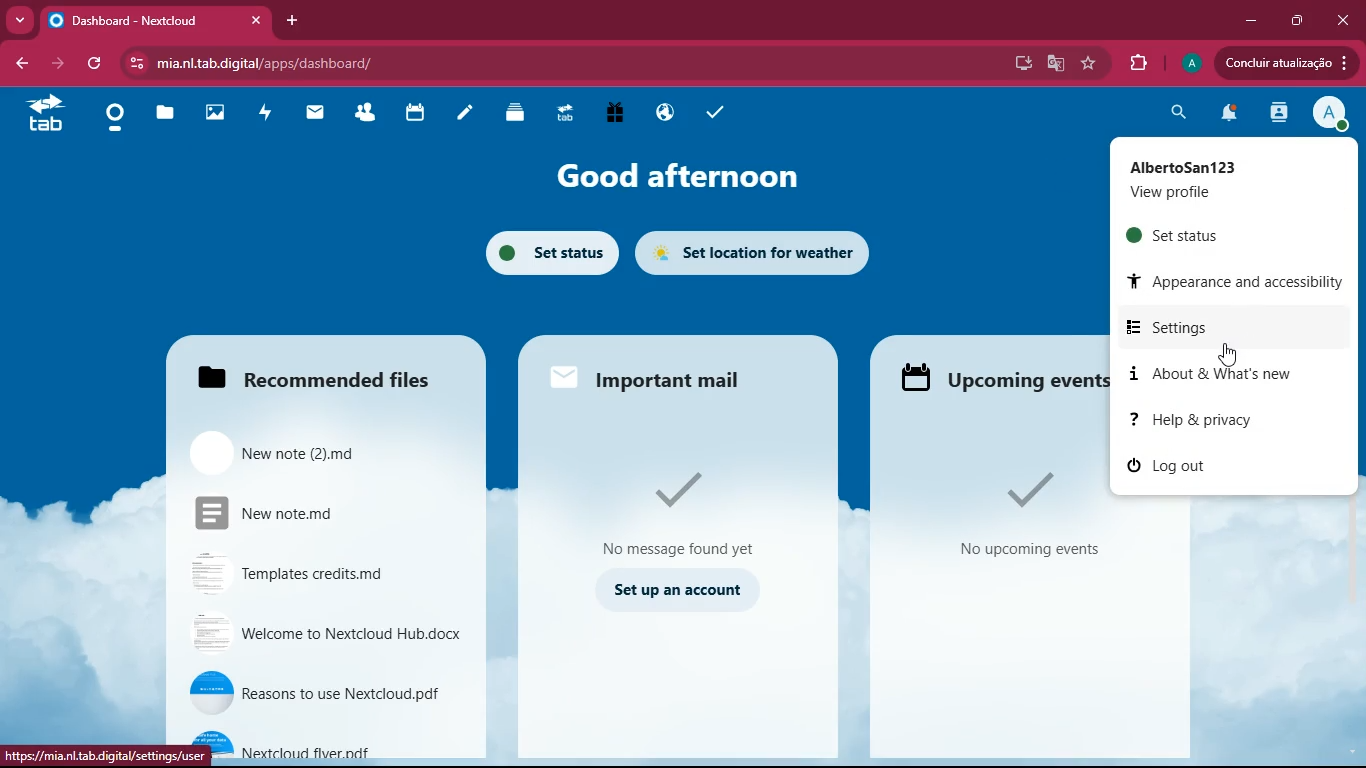 This screenshot has height=768, width=1366. What do you see at coordinates (1231, 114) in the screenshot?
I see `notifications` at bounding box center [1231, 114].